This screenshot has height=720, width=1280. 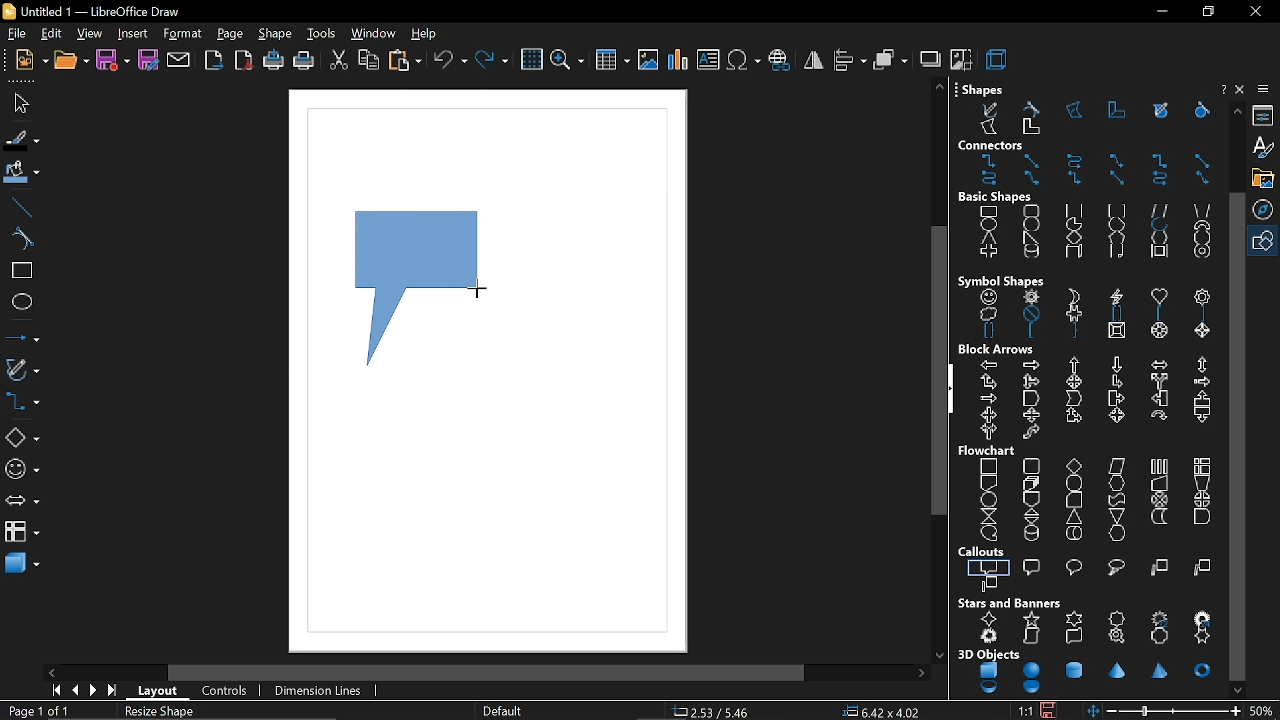 What do you see at coordinates (1028, 253) in the screenshot?
I see `cylinder` at bounding box center [1028, 253].